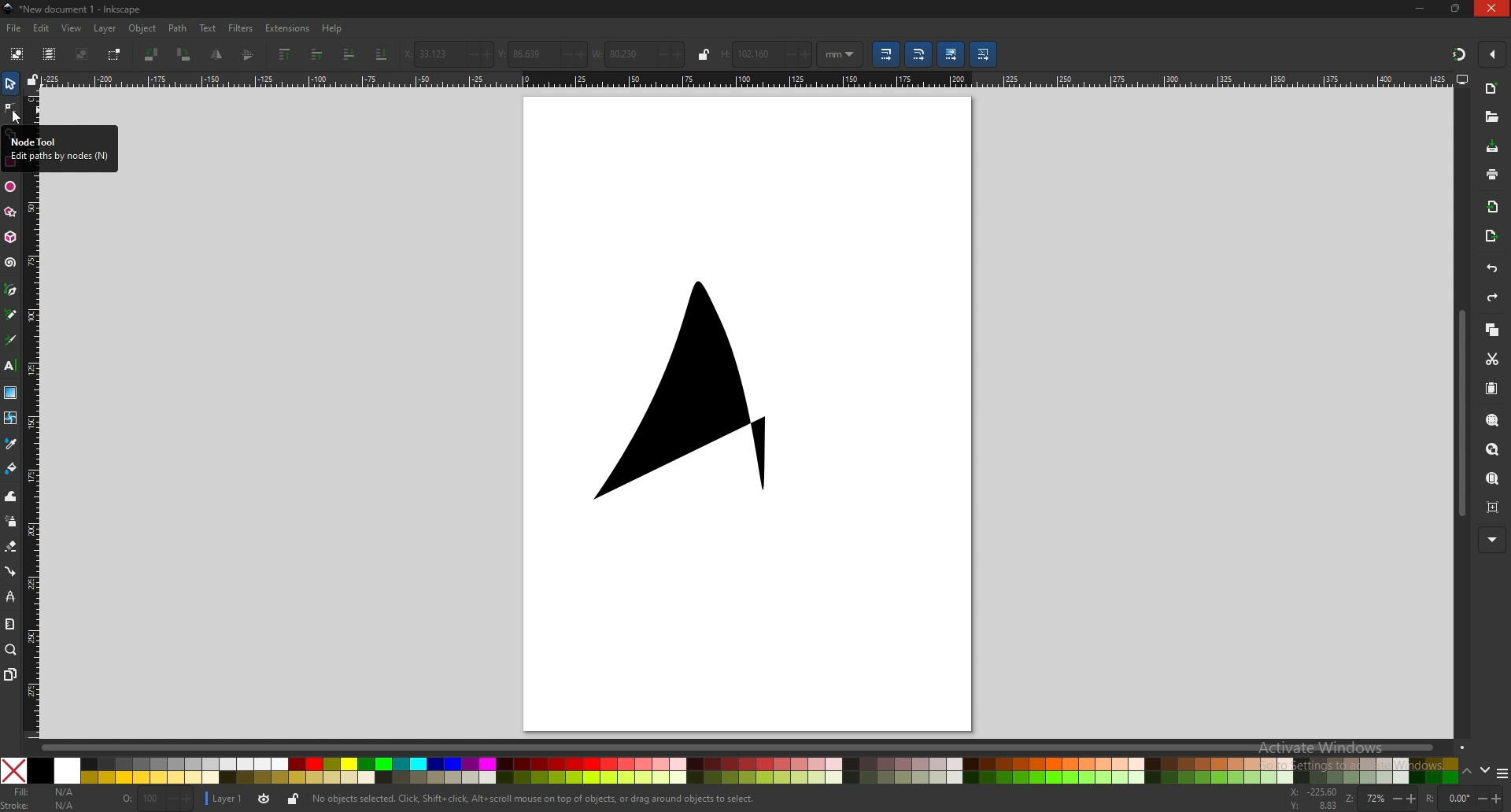 The height and width of the screenshot is (812, 1511). I want to click on vertical scale, so click(34, 456).